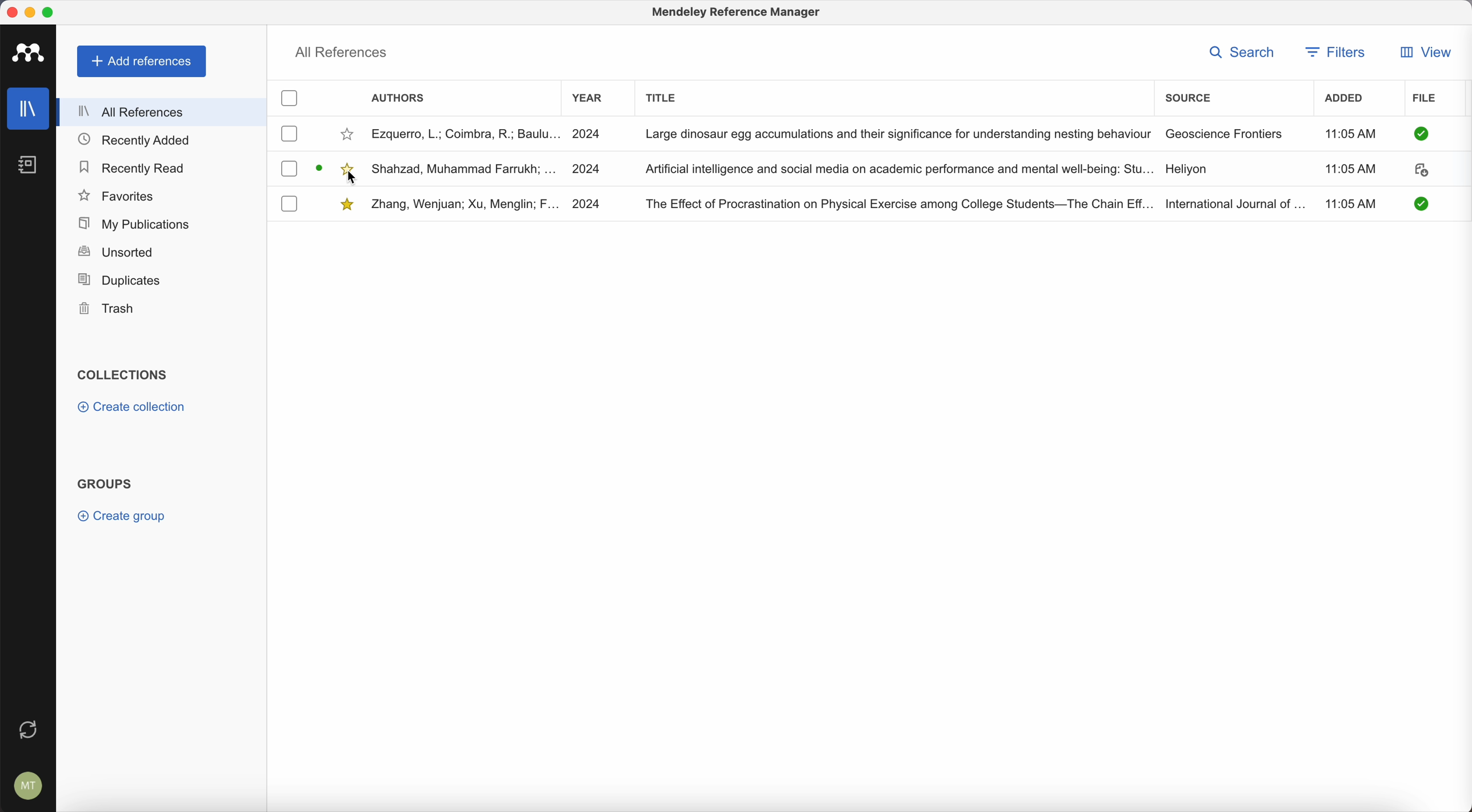  What do you see at coordinates (131, 222) in the screenshot?
I see `my publications` at bounding box center [131, 222].